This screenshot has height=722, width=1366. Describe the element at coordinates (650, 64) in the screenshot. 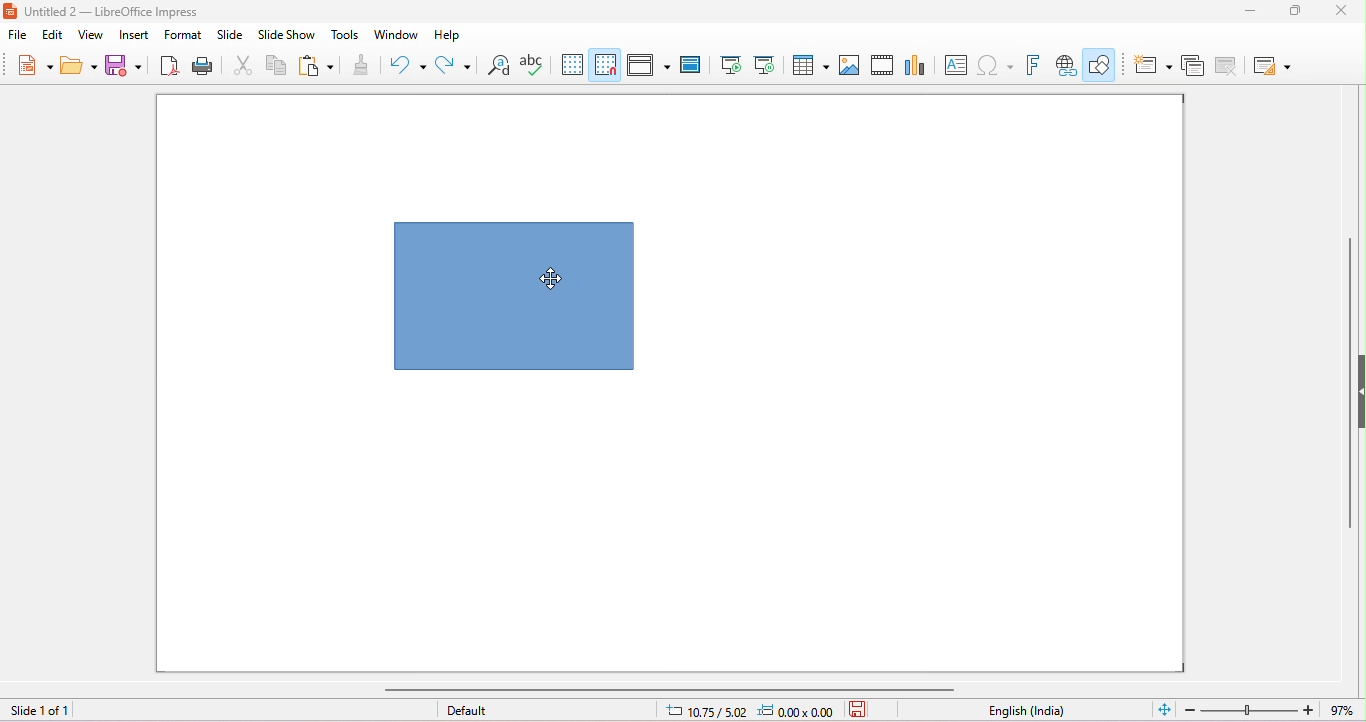

I see `display views` at that location.